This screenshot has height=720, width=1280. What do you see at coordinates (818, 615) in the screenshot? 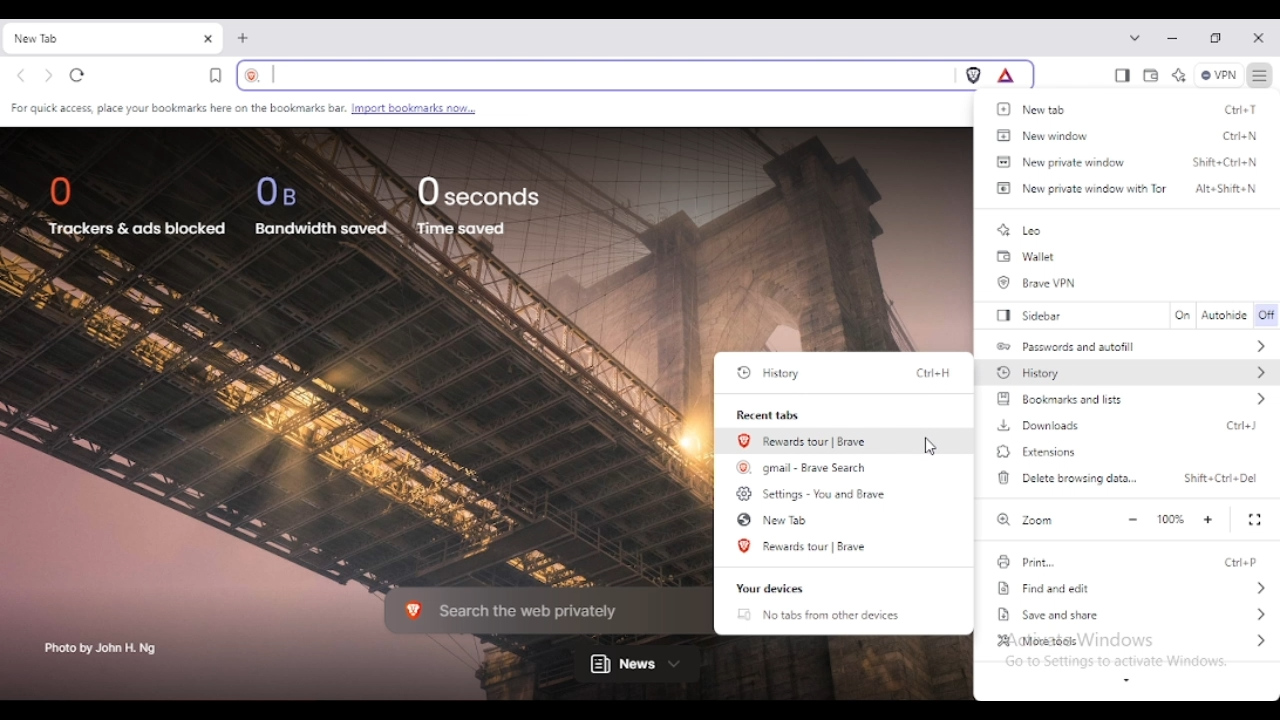
I see `no tabs from other devices` at bounding box center [818, 615].